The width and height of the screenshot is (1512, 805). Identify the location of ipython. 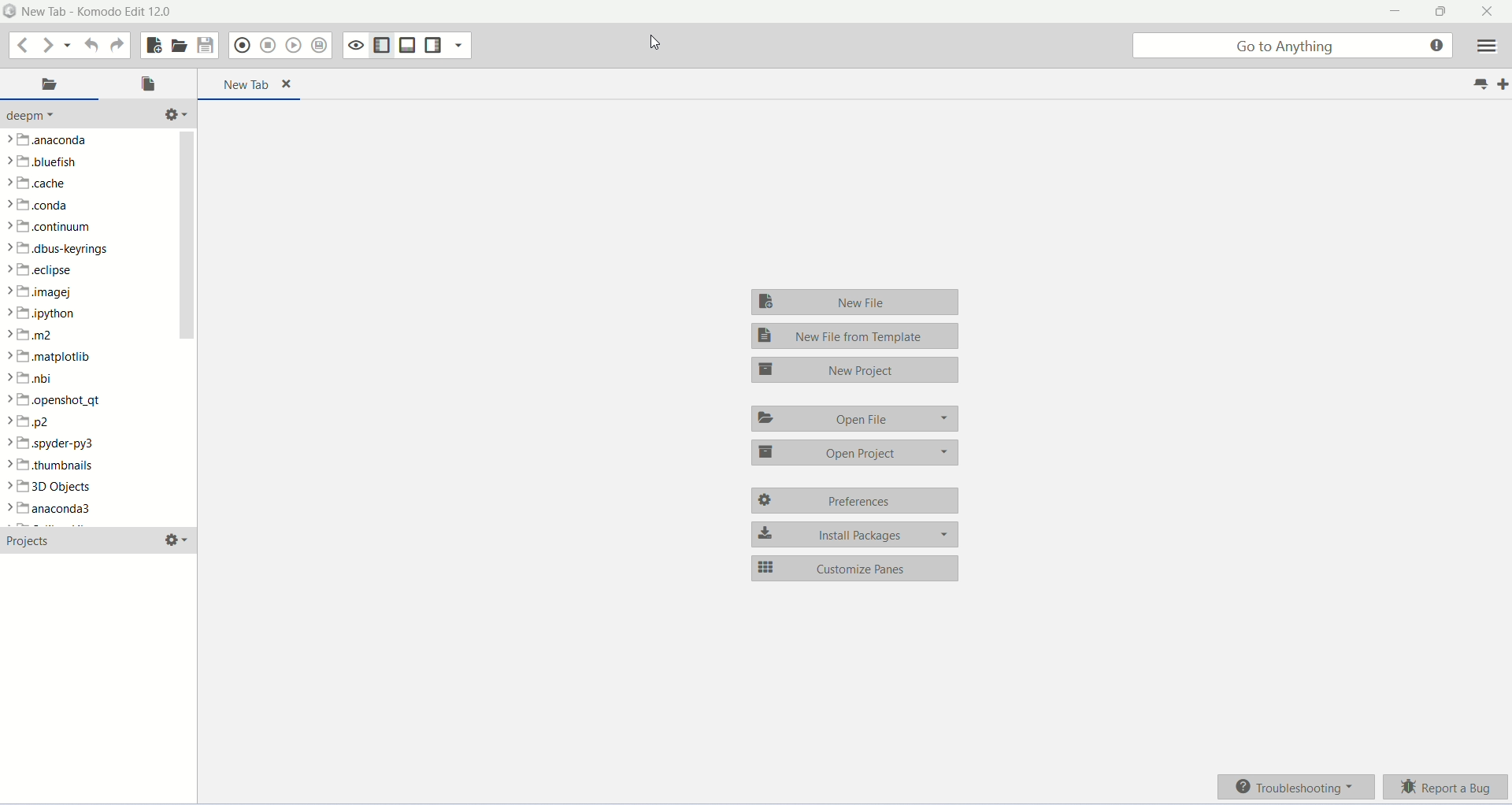
(46, 315).